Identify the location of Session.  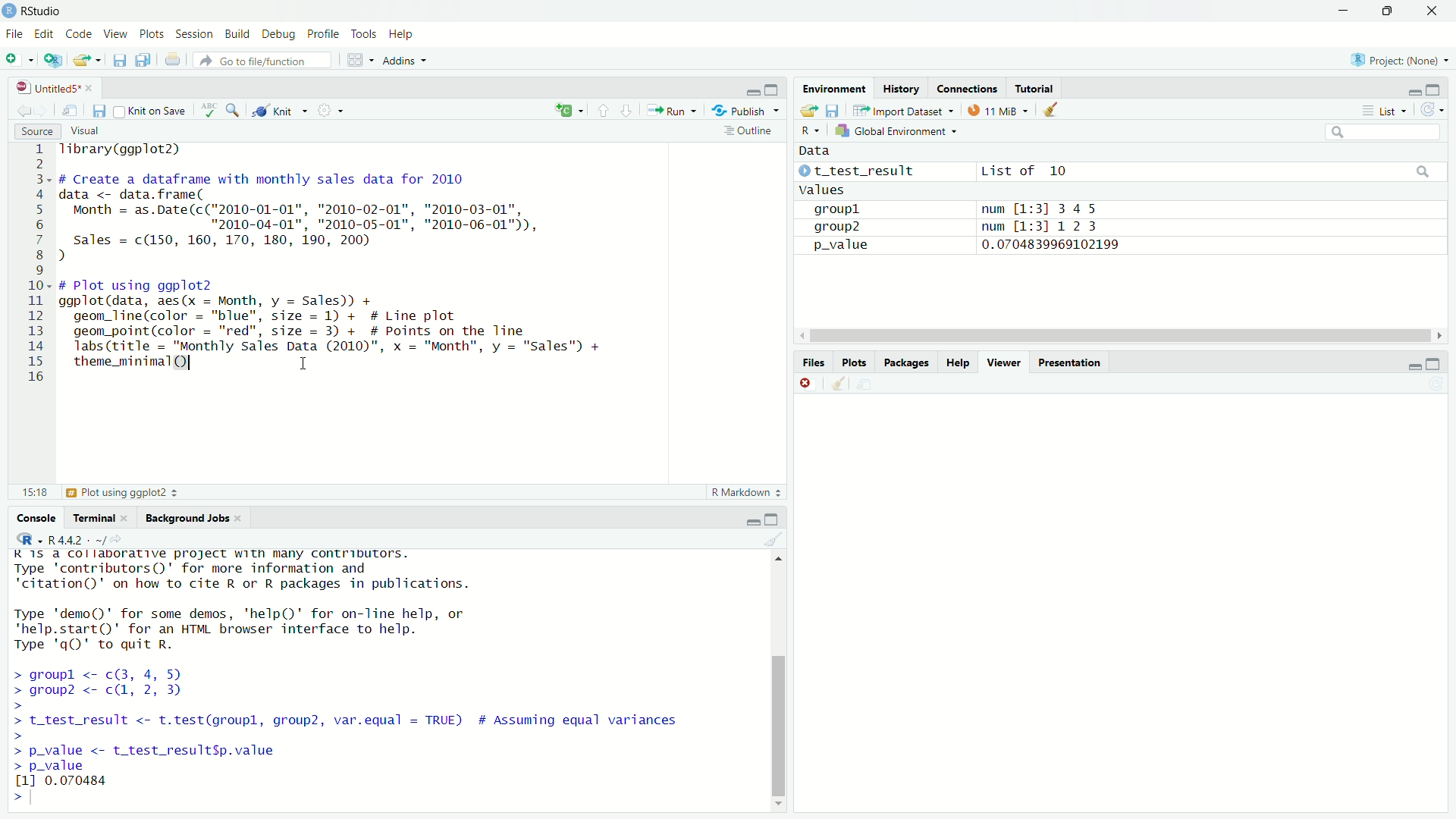
(196, 33).